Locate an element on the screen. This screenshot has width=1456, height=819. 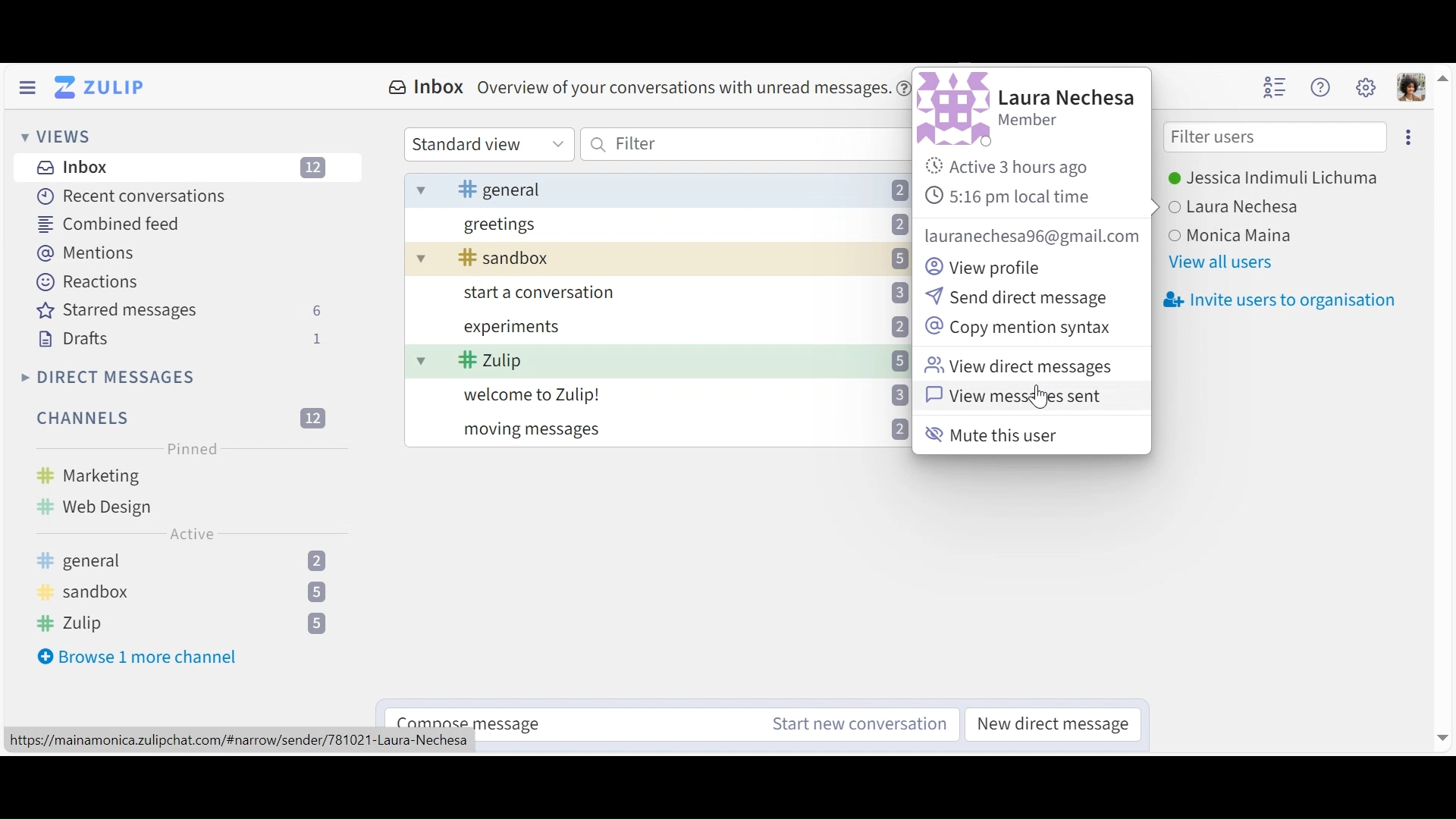
Standard View is located at coordinates (489, 143).